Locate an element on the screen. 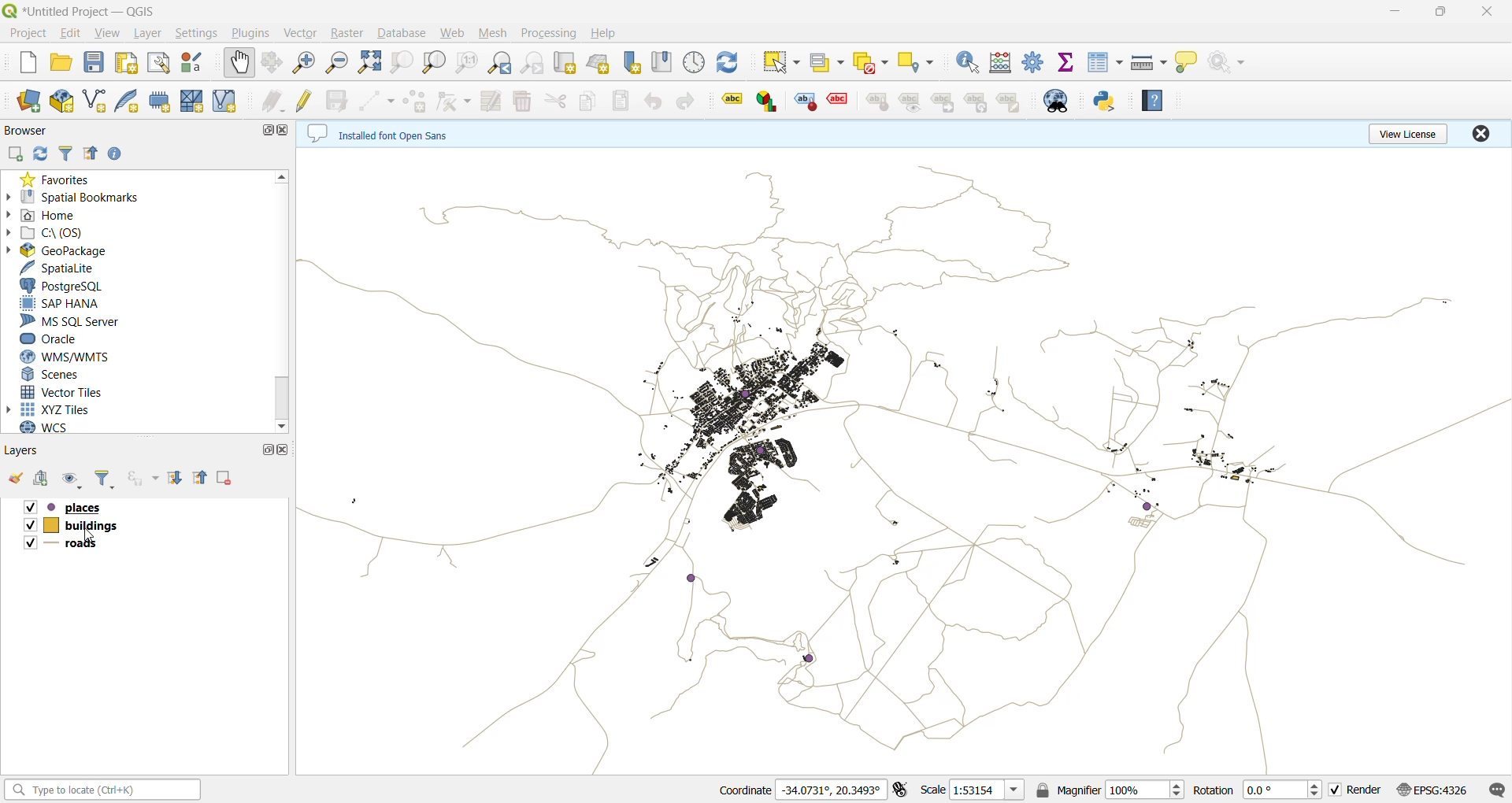  new geopackage layer is located at coordinates (61, 101).